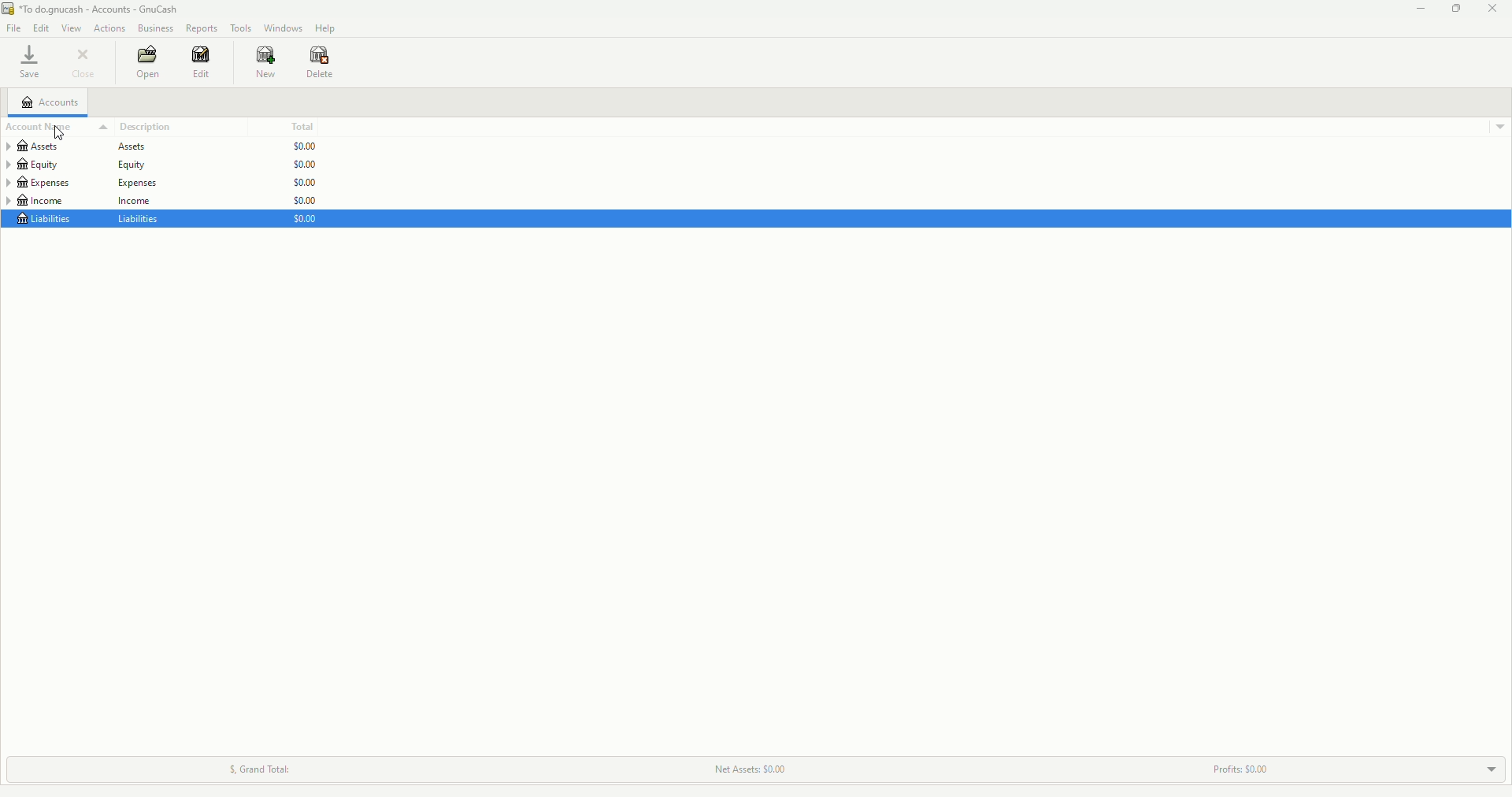 Image resolution: width=1512 pixels, height=797 pixels. I want to click on Net Assets, so click(749, 765).